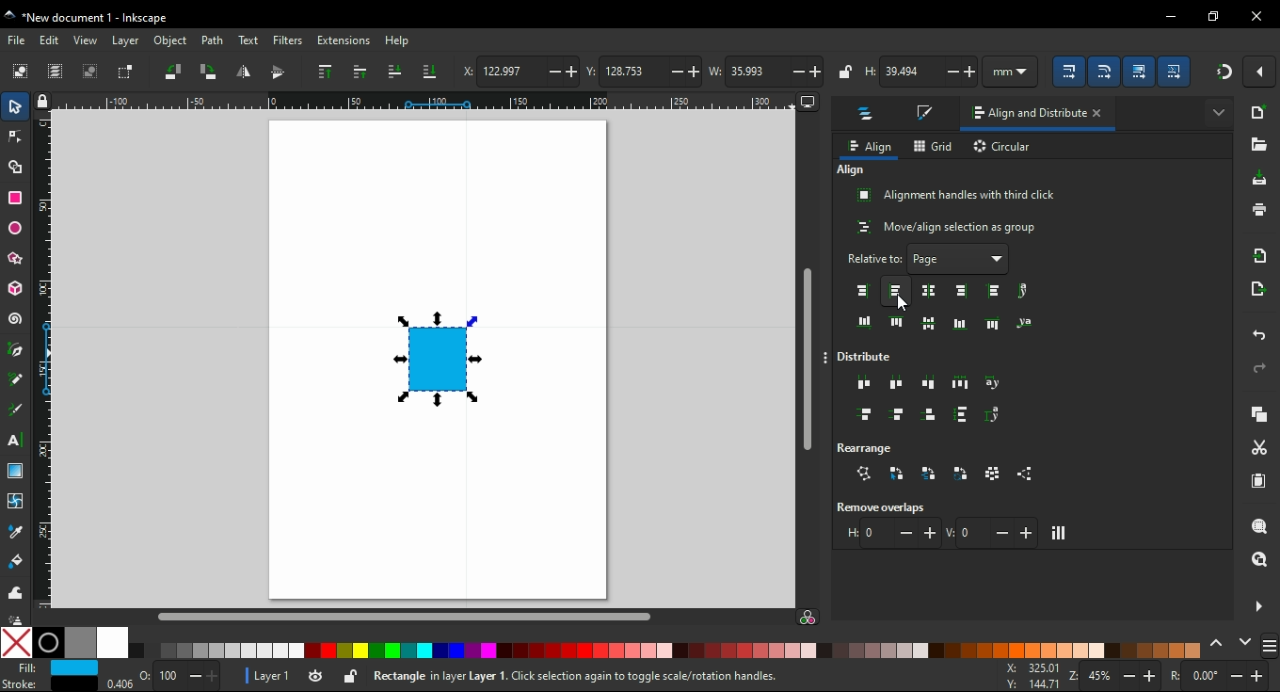 The width and height of the screenshot is (1280, 692). What do you see at coordinates (867, 114) in the screenshot?
I see `layers and object` at bounding box center [867, 114].